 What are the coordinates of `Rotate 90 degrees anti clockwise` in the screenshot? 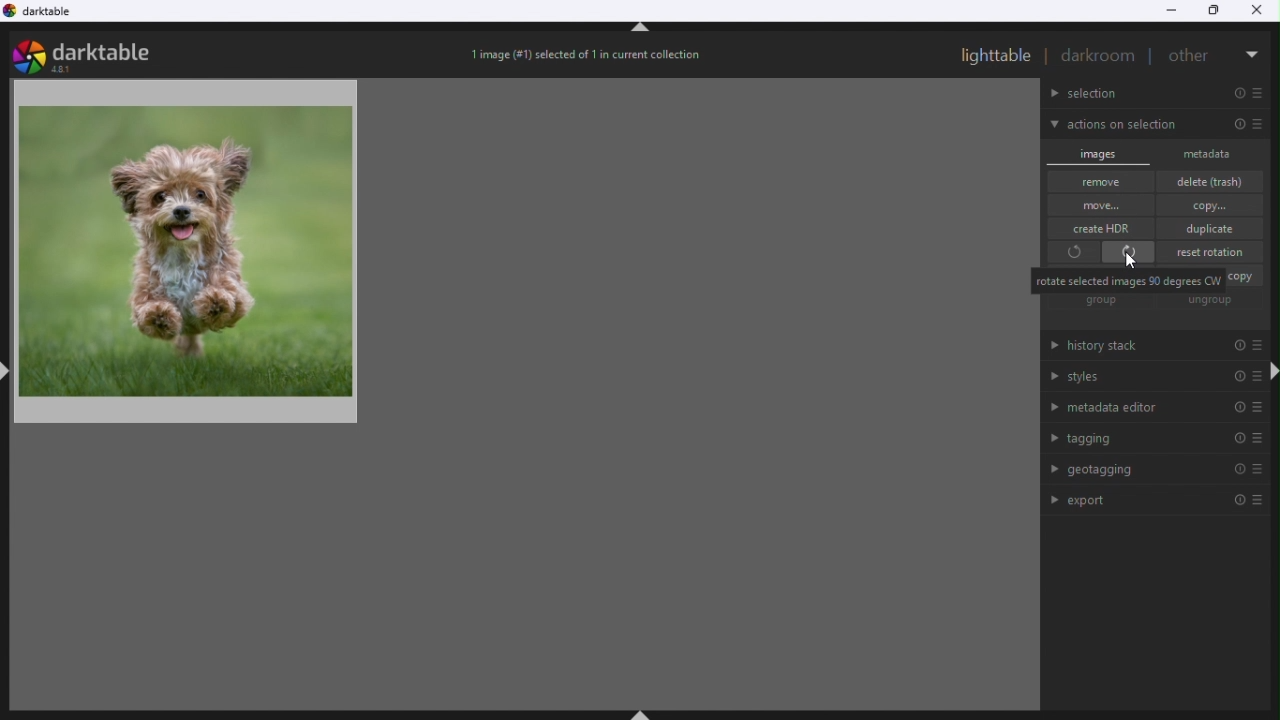 It's located at (1071, 254).